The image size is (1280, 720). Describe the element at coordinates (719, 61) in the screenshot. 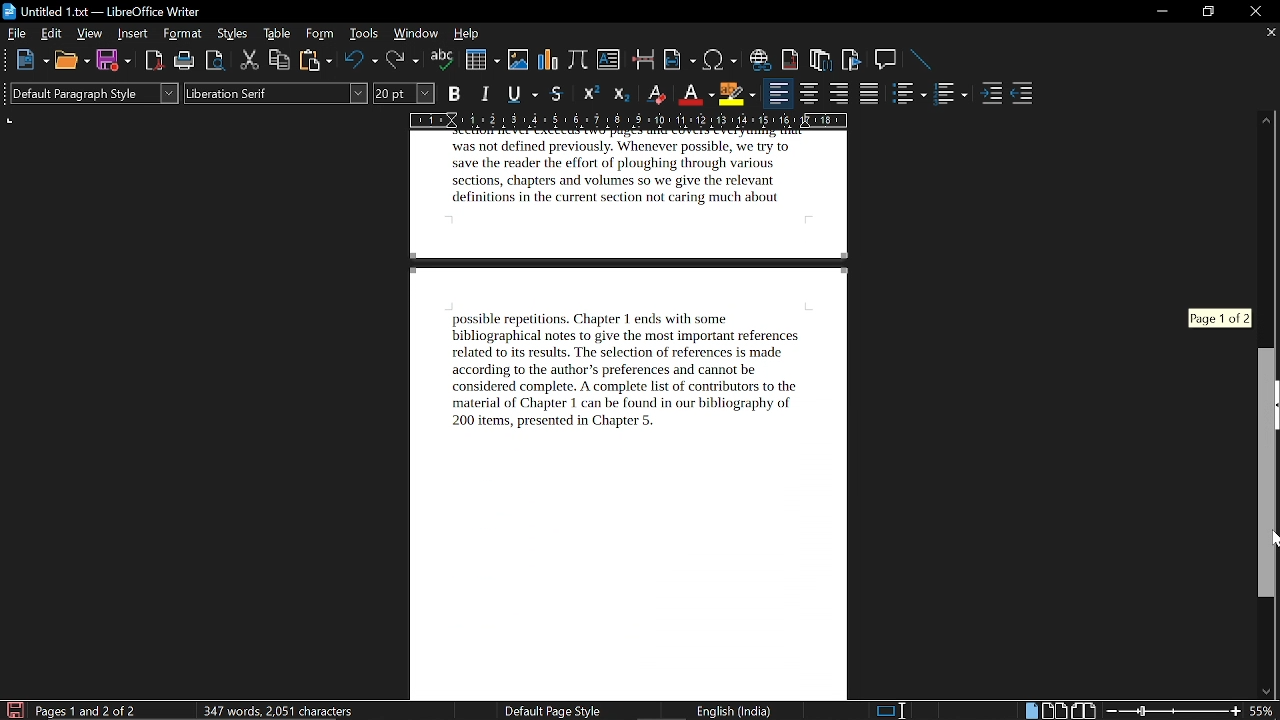

I see `insert symbol` at that location.